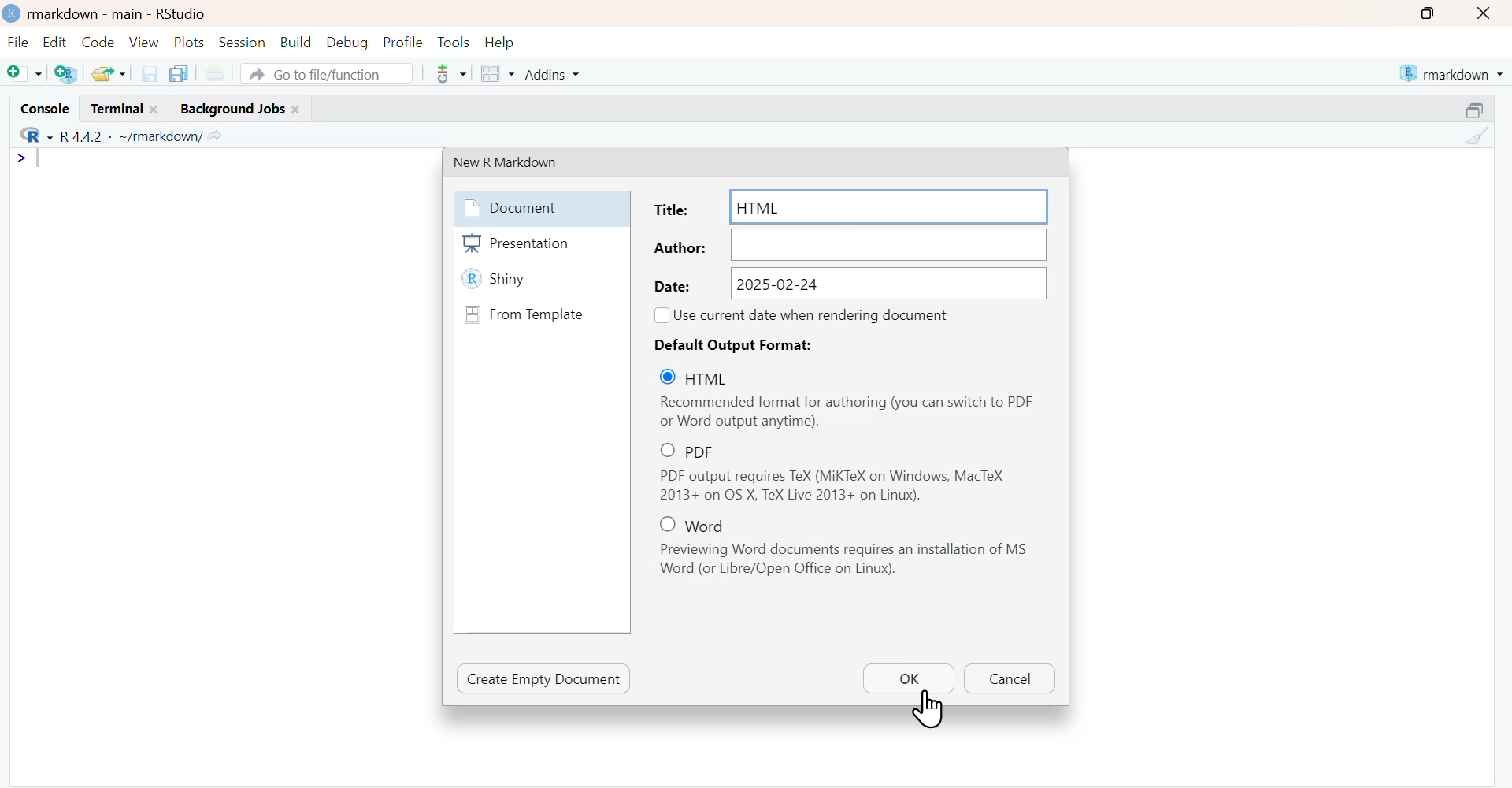 This screenshot has width=1512, height=788. I want to click on Clear console, so click(1476, 136).